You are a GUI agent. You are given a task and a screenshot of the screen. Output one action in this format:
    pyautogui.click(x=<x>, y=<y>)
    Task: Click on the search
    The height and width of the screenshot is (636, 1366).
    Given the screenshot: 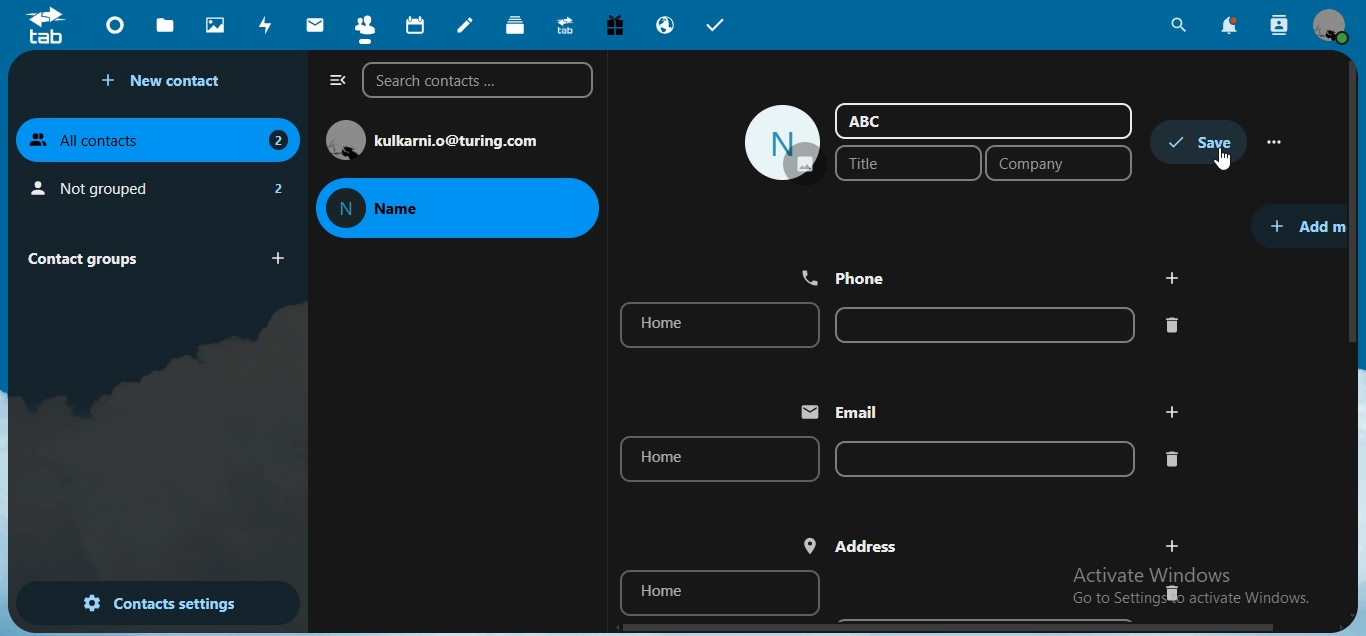 What is the action you would take?
    pyautogui.click(x=1180, y=25)
    